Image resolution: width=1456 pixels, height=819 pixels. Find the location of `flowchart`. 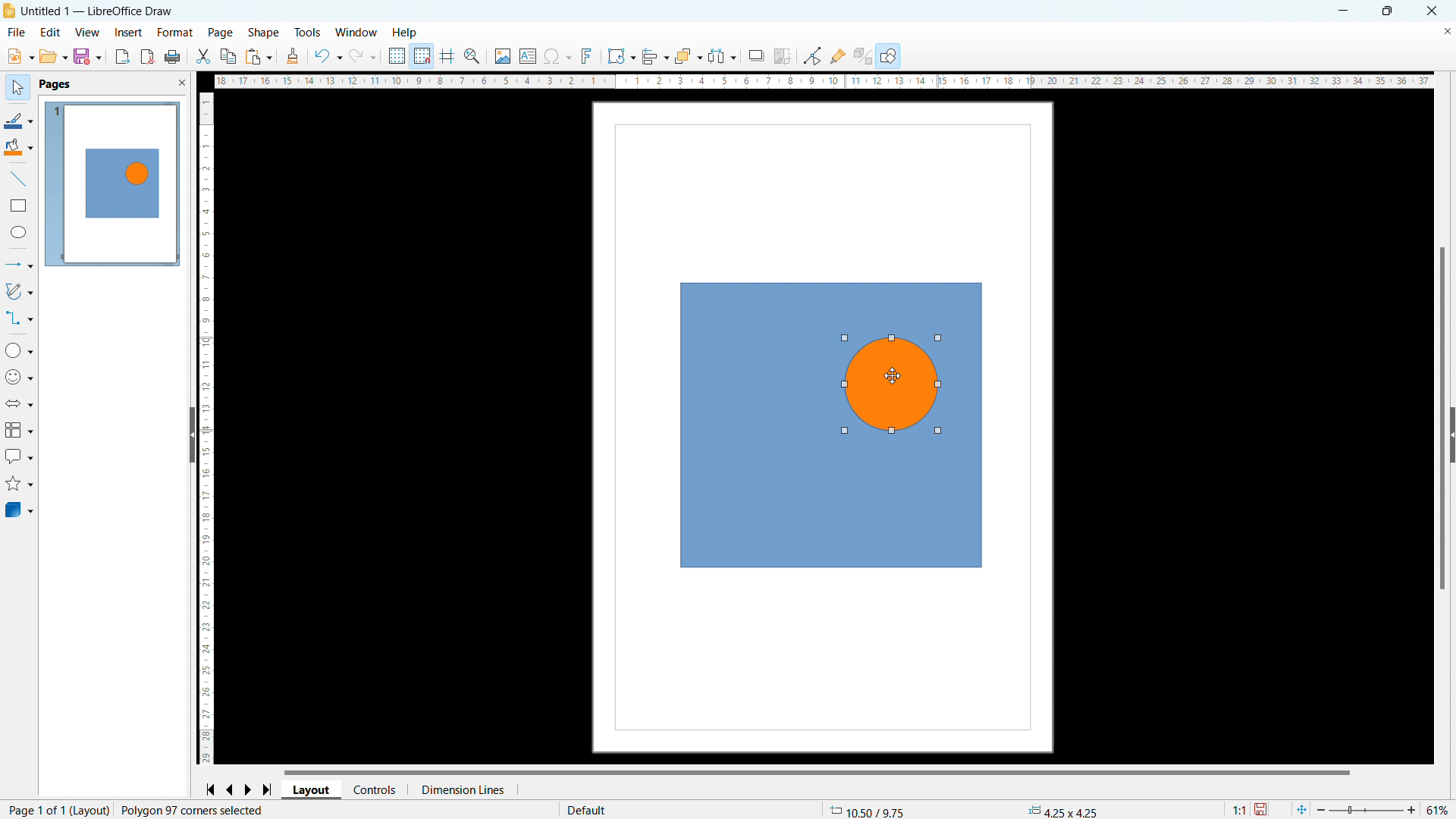

flowchart is located at coordinates (18, 430).